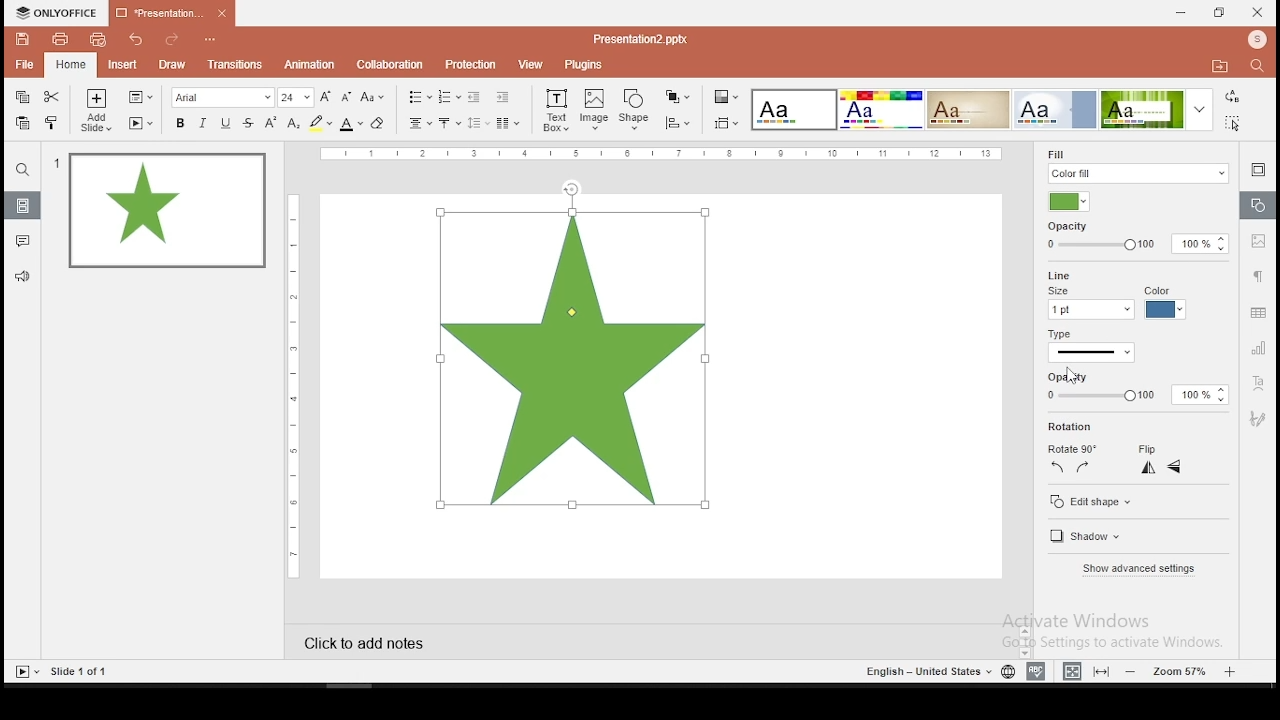 This screenshot has width=1280, height=720. What do you see at coordinates (468, 65) in the screenshot?
I see `protection` at bounding box center [468, 65].